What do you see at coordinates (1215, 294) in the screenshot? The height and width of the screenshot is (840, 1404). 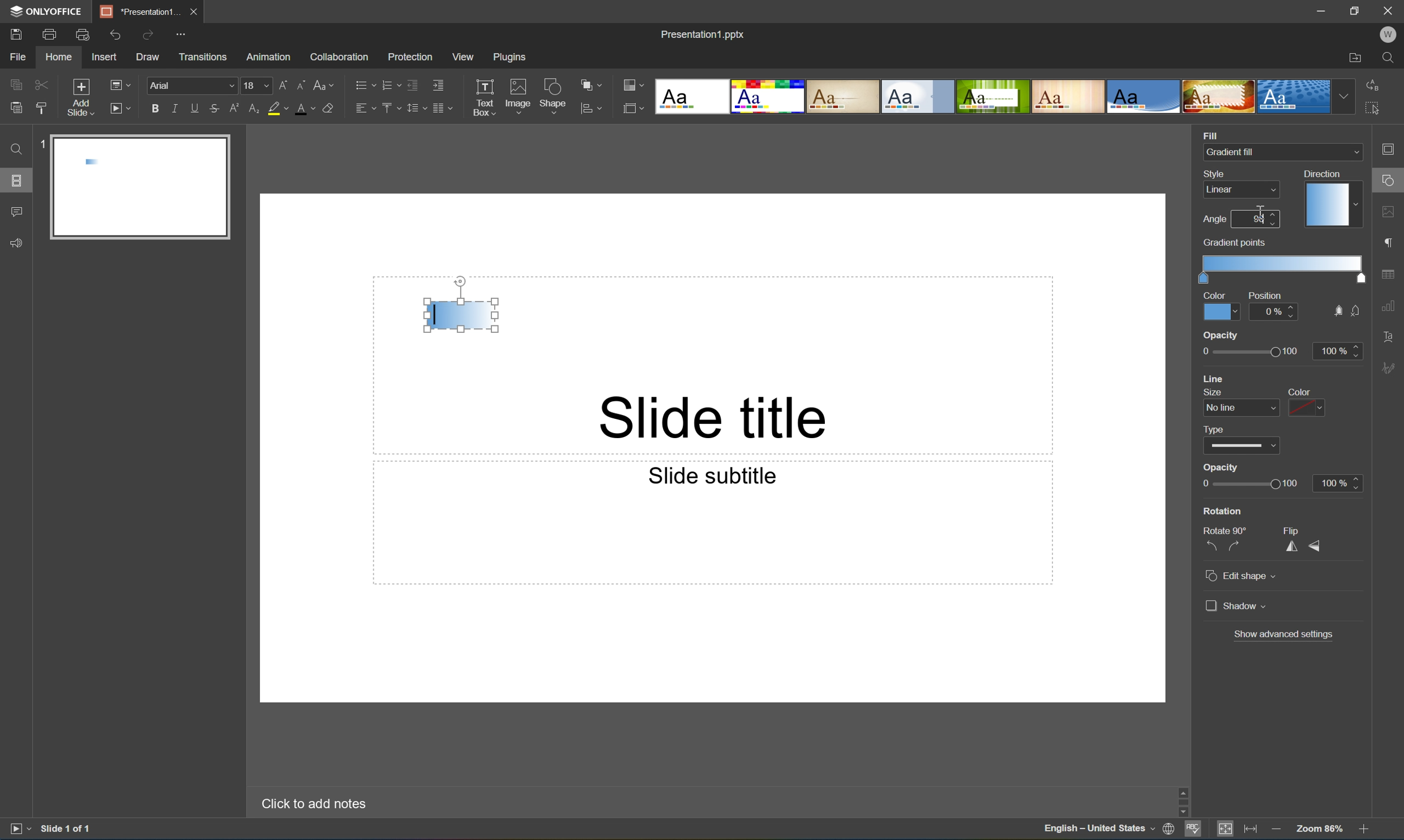 I see `Color` at bounding box center [1215, 294].